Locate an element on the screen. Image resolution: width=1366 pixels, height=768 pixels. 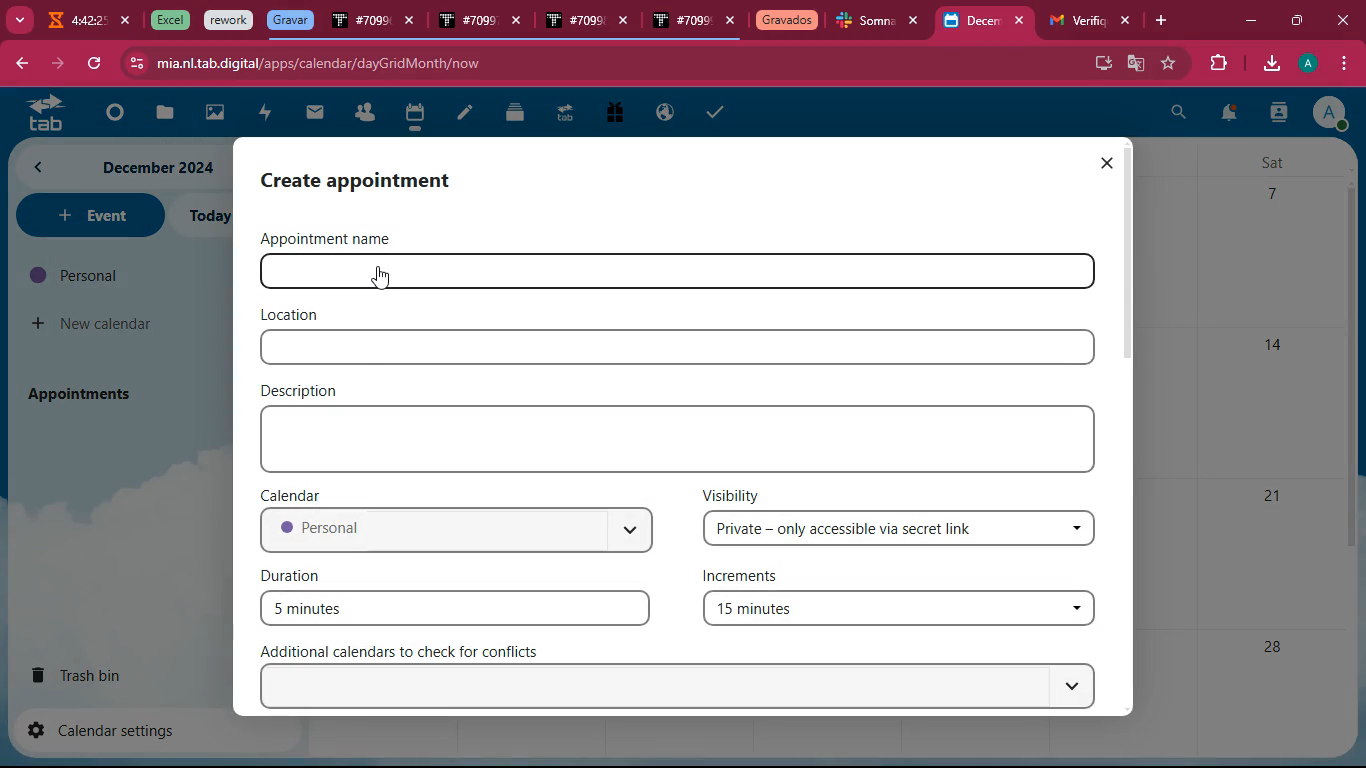
charge is located at coordinates (264, 114).